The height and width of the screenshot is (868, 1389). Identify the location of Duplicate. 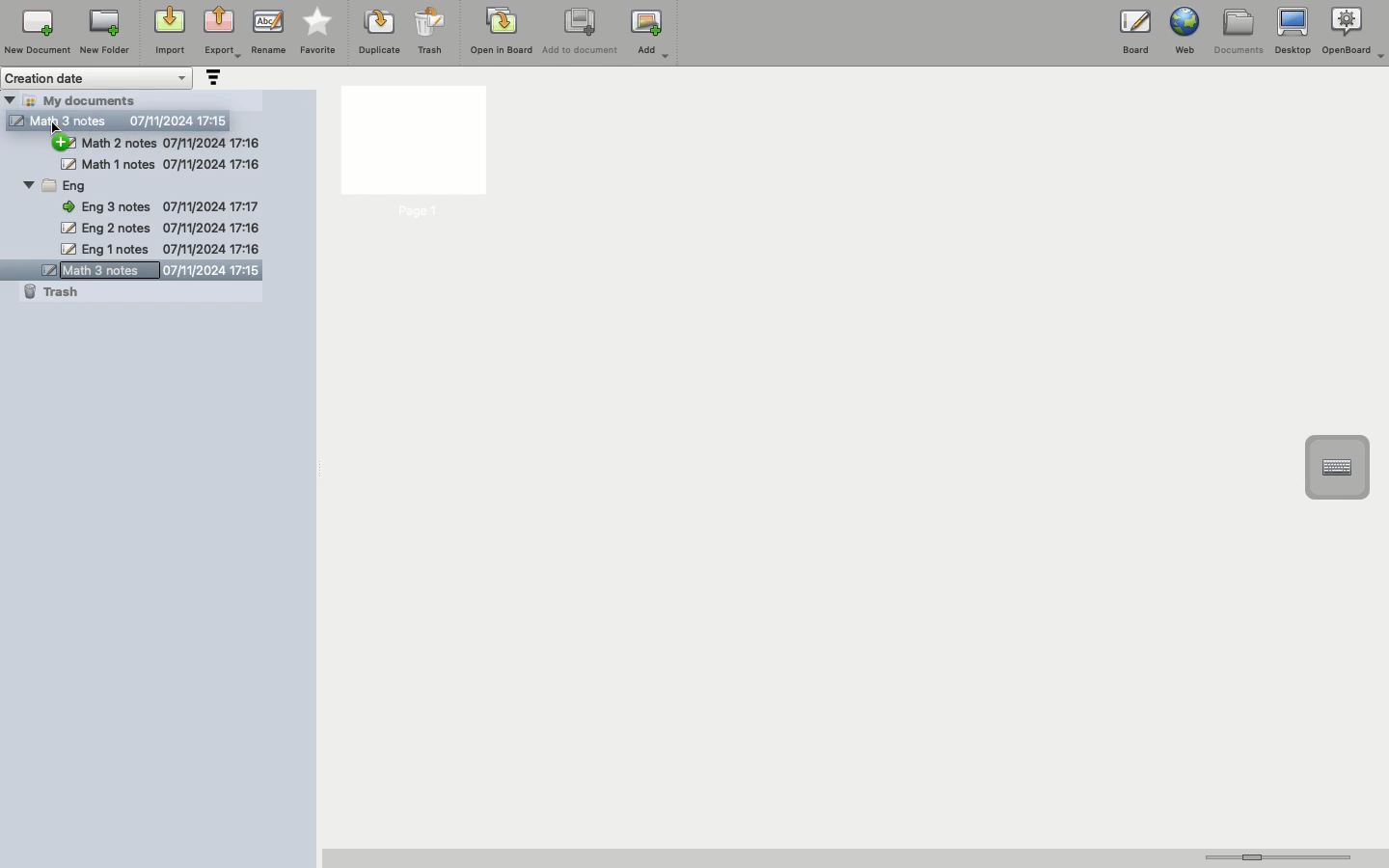
(377, 32).